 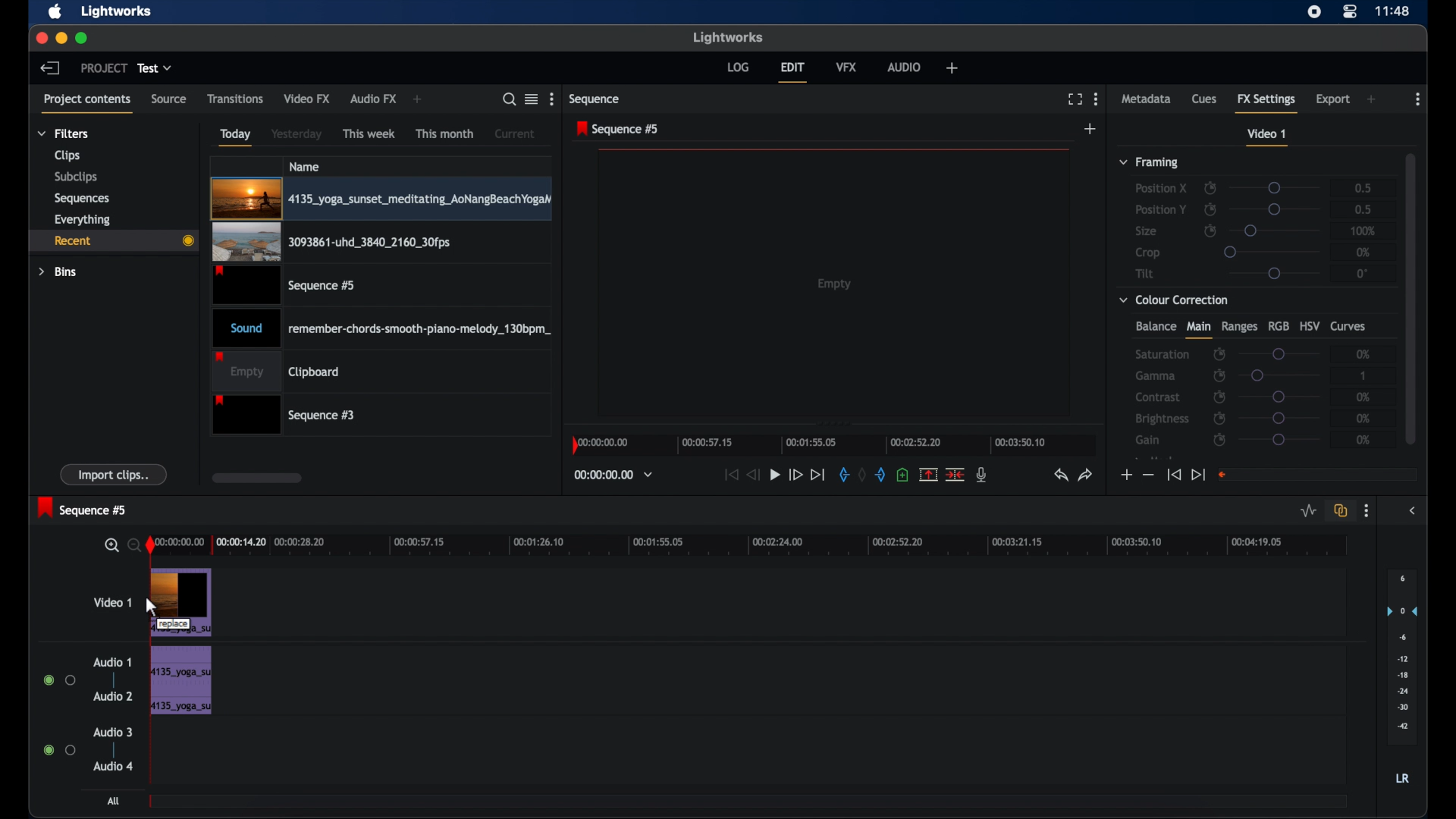 I want to click on curves, so click(x=1350, y=327).